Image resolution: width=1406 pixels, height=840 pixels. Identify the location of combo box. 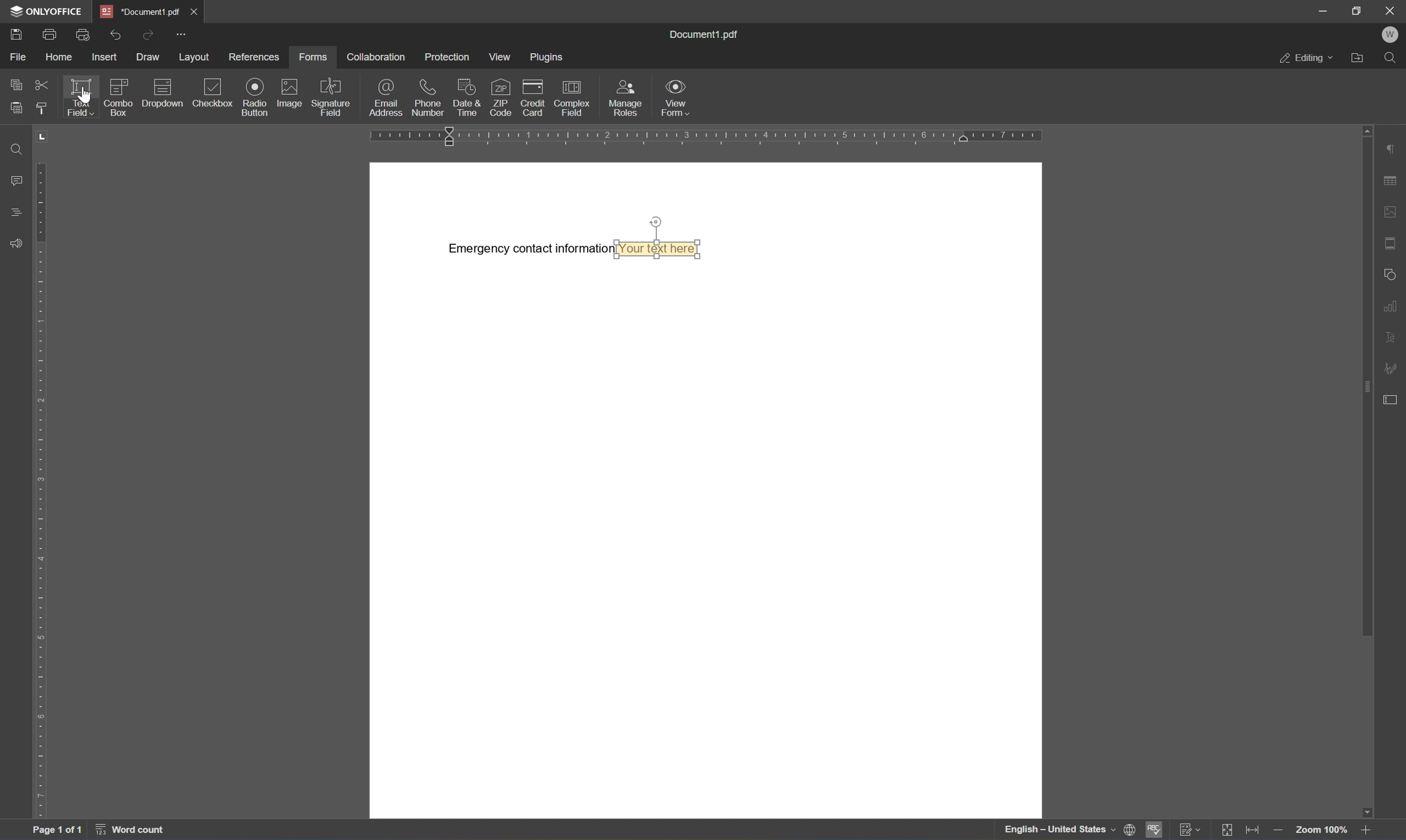
(119, 98).